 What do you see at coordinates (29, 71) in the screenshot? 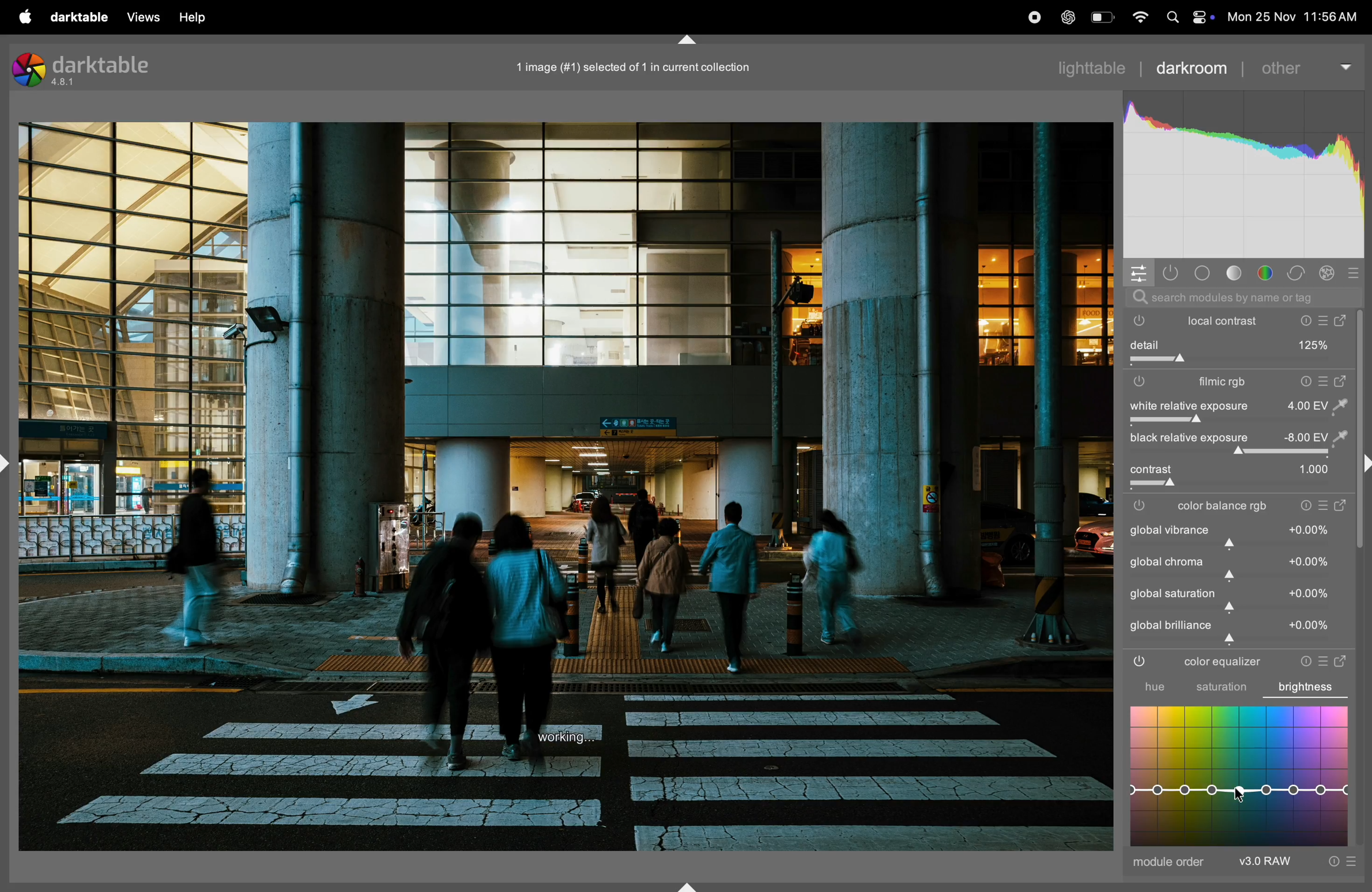
I see `logo` at bounding box center [29, 71].